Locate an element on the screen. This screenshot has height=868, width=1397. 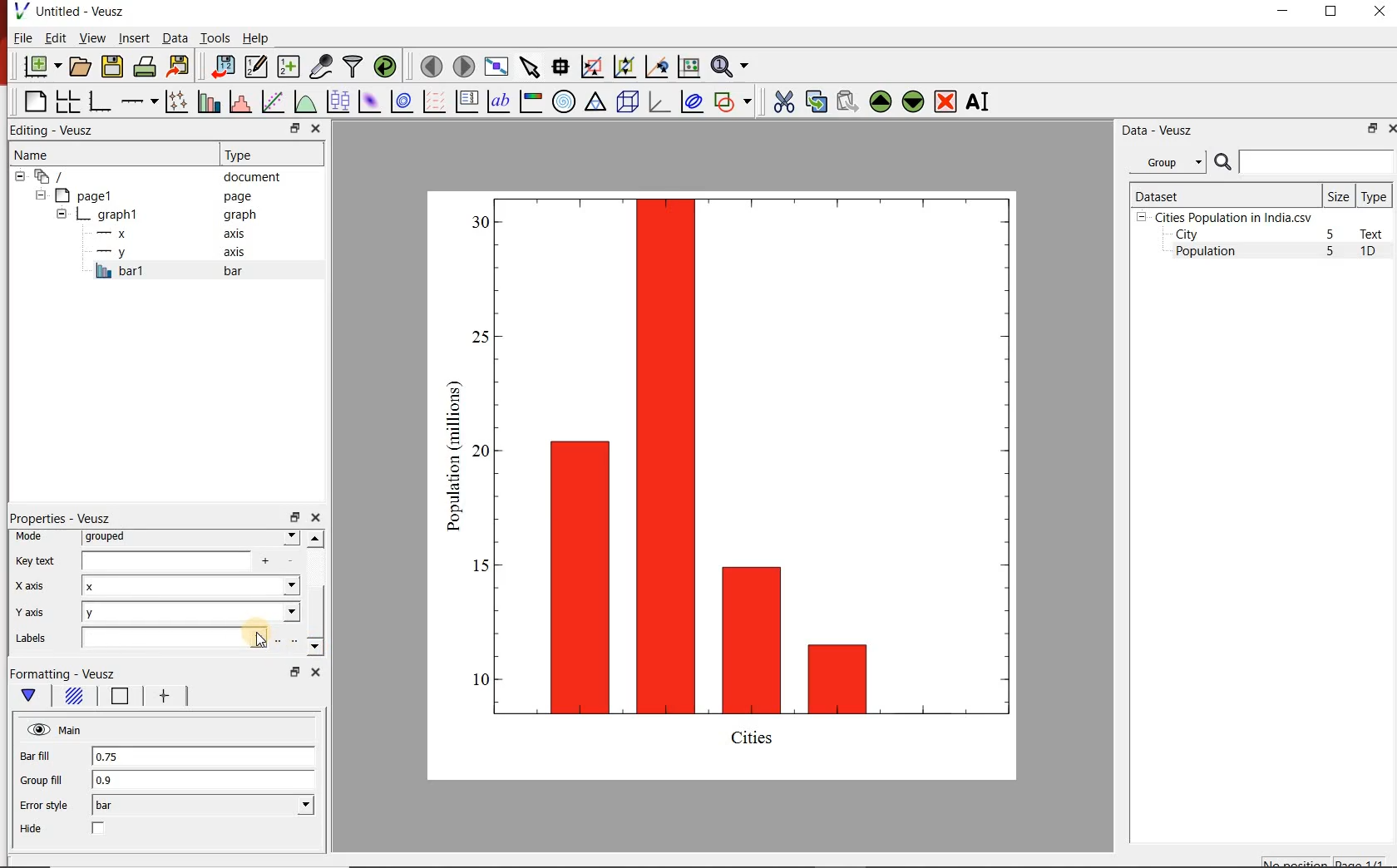
create new datasets using available options is located at coordinates (286, 67).